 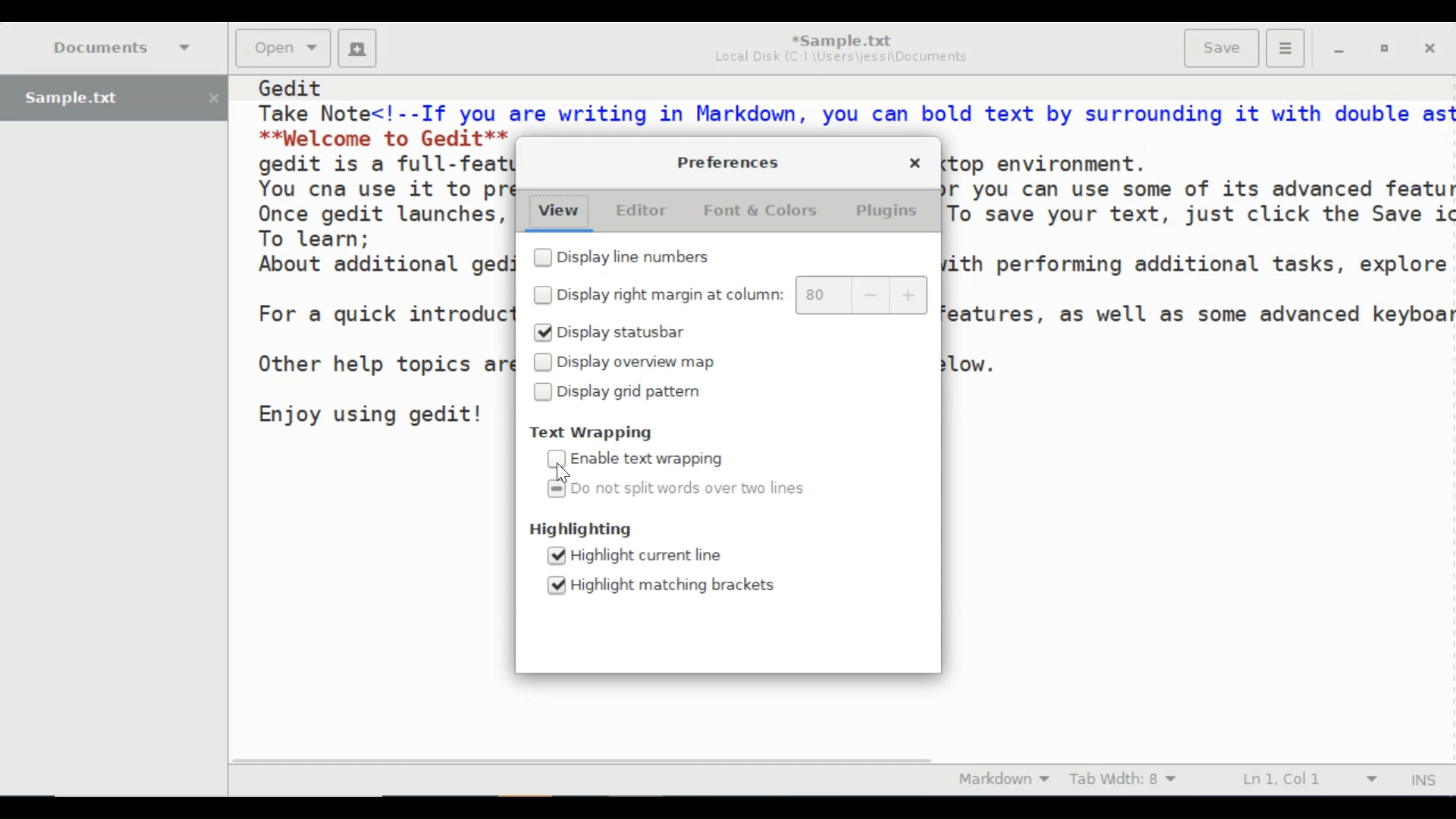 What do you see at coordinates (667, 585) in the screenshot?
I see `(un)select Highlight matching brackets` at bounding box center [667, 585].